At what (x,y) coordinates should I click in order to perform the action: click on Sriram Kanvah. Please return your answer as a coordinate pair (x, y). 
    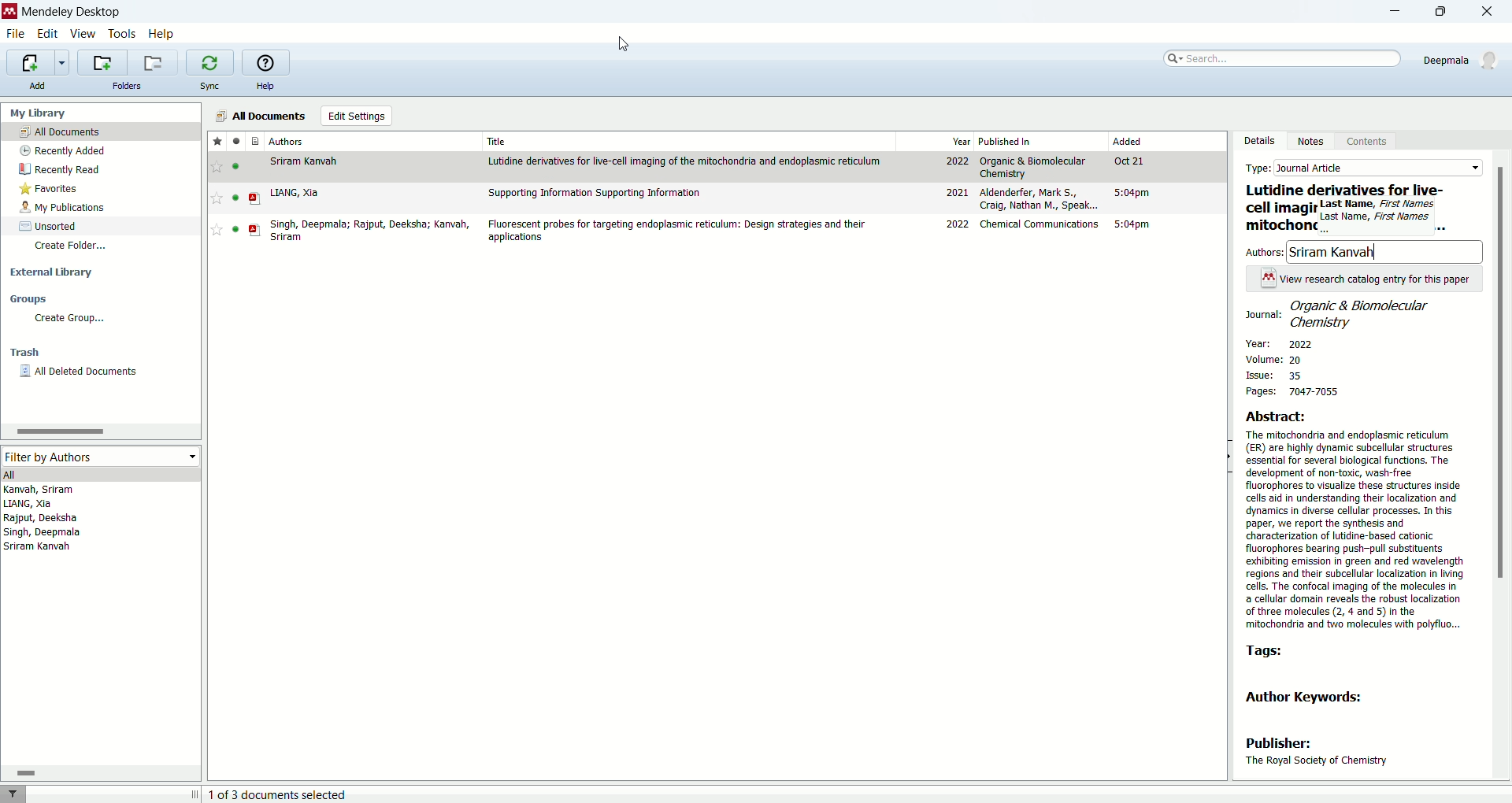
    Looking at the image, I should click on (1333, 252).